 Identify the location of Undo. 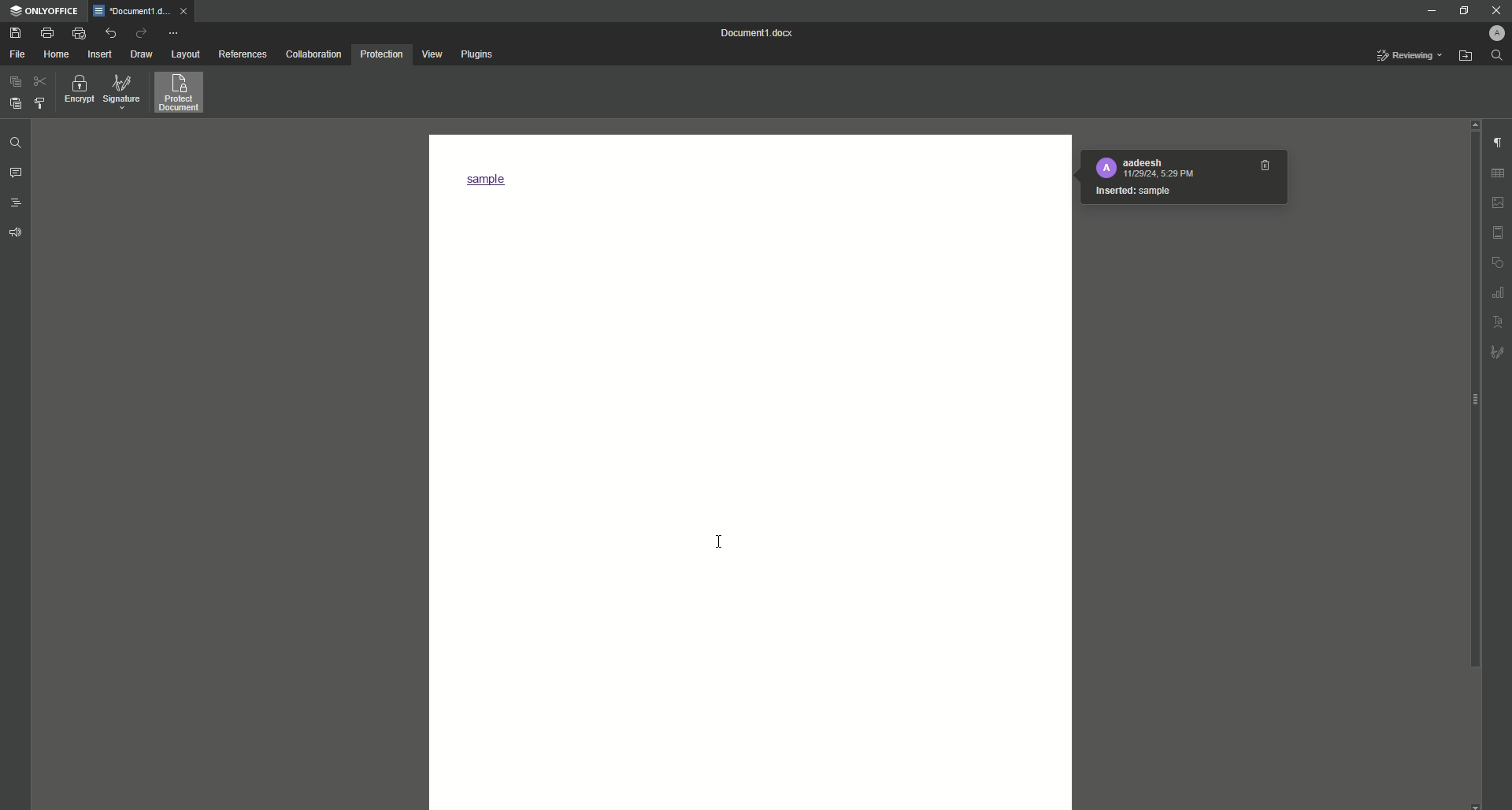
(110, 33).